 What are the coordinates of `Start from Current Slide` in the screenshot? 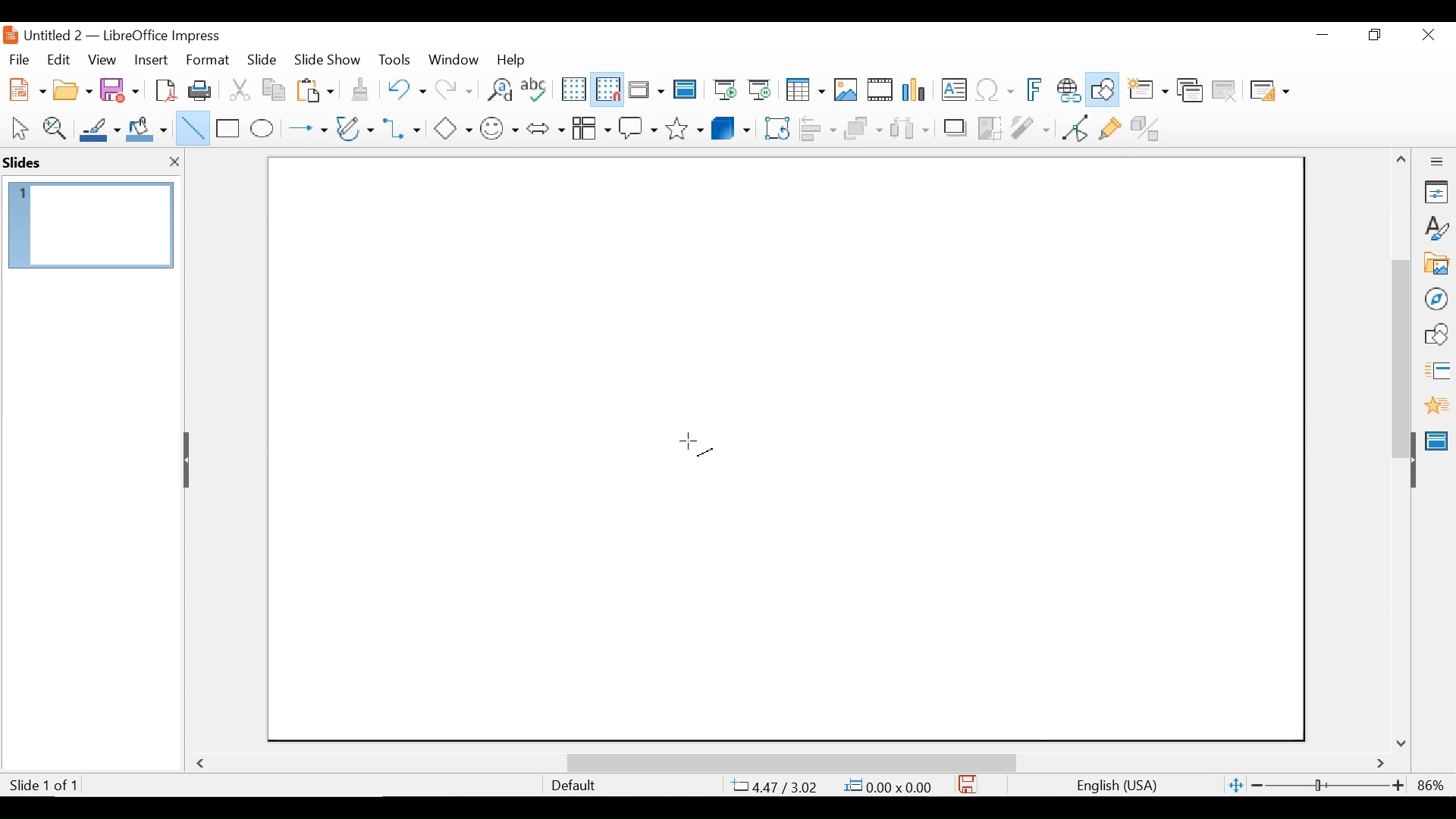 It's located at (759, 91).